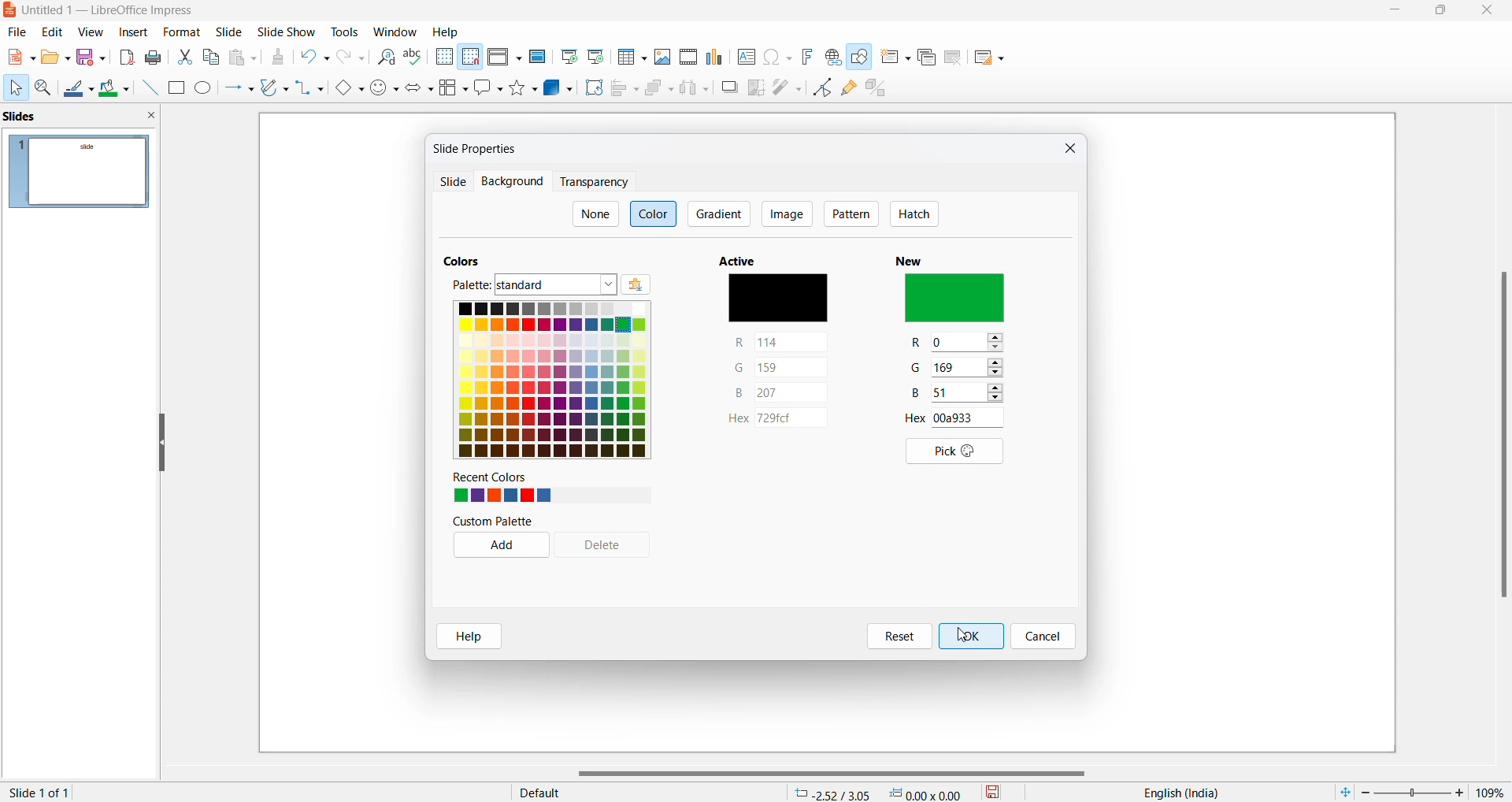 This screenshot has height=802, width=1512. Describe the element at coordinates (729, 87) in the screenshot. I see `shadow` at that location.